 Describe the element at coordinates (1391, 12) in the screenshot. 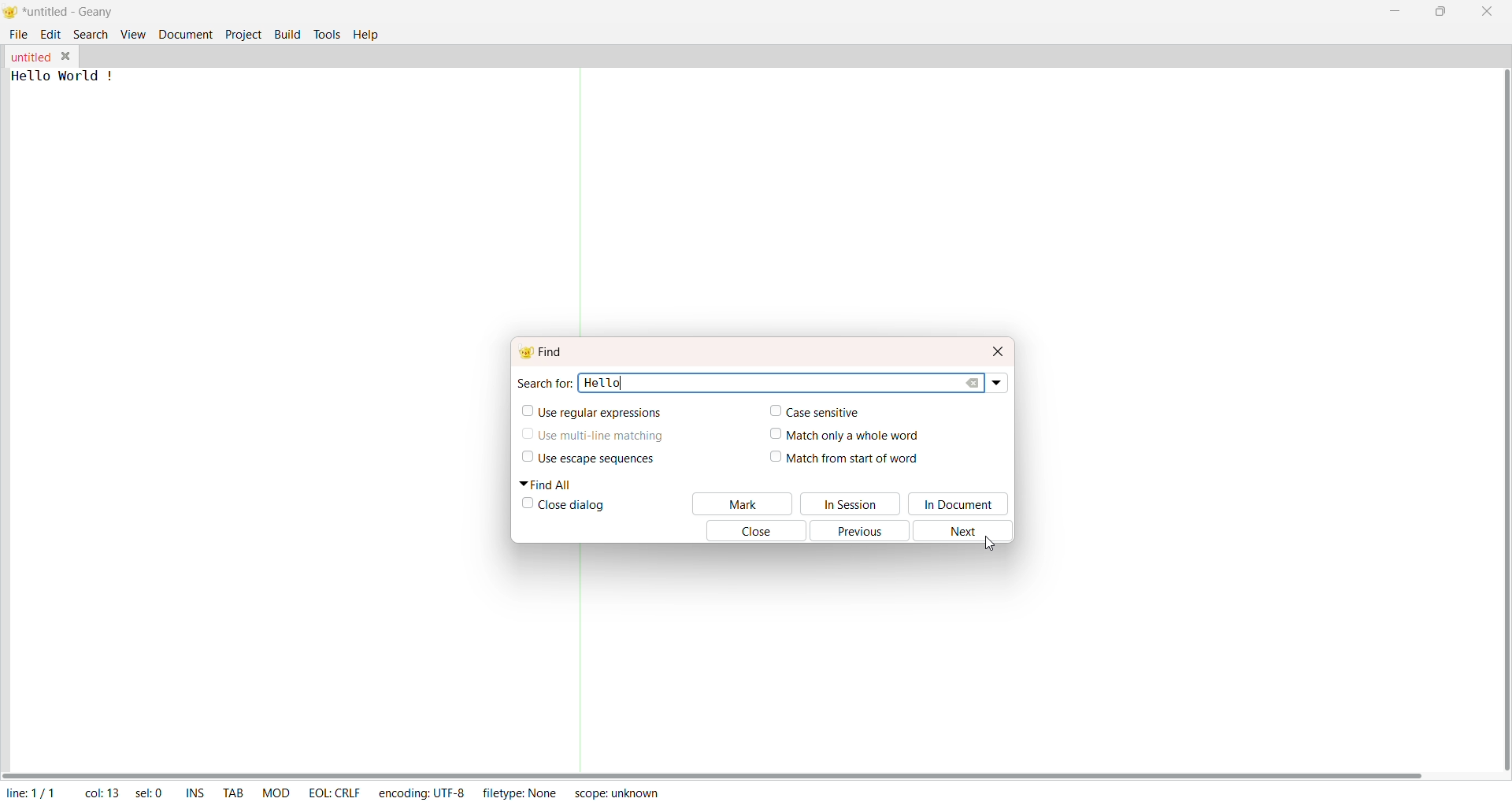

I see `Minimize` at that location.